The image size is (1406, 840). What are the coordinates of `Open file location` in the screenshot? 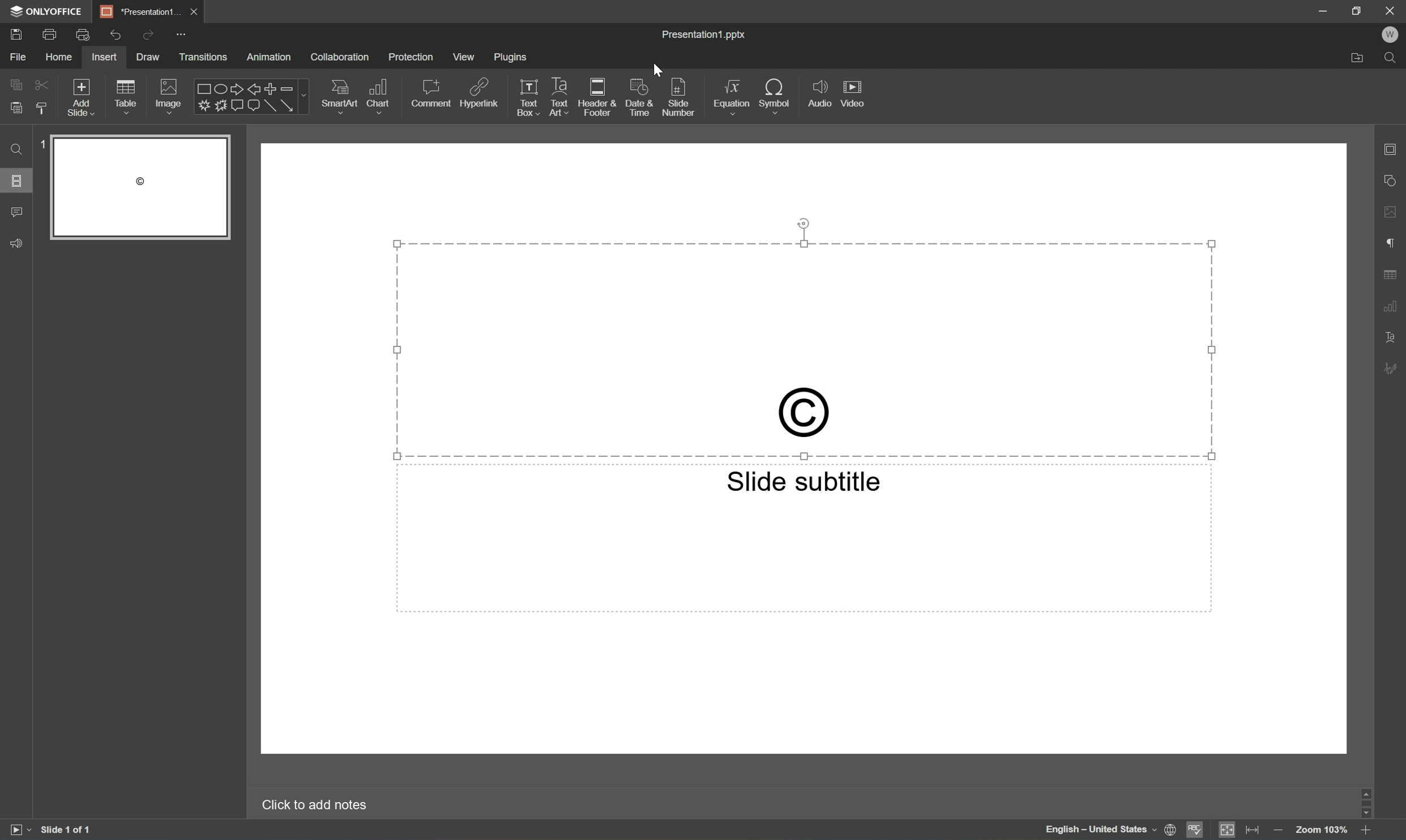 It's located at (1358, 57).